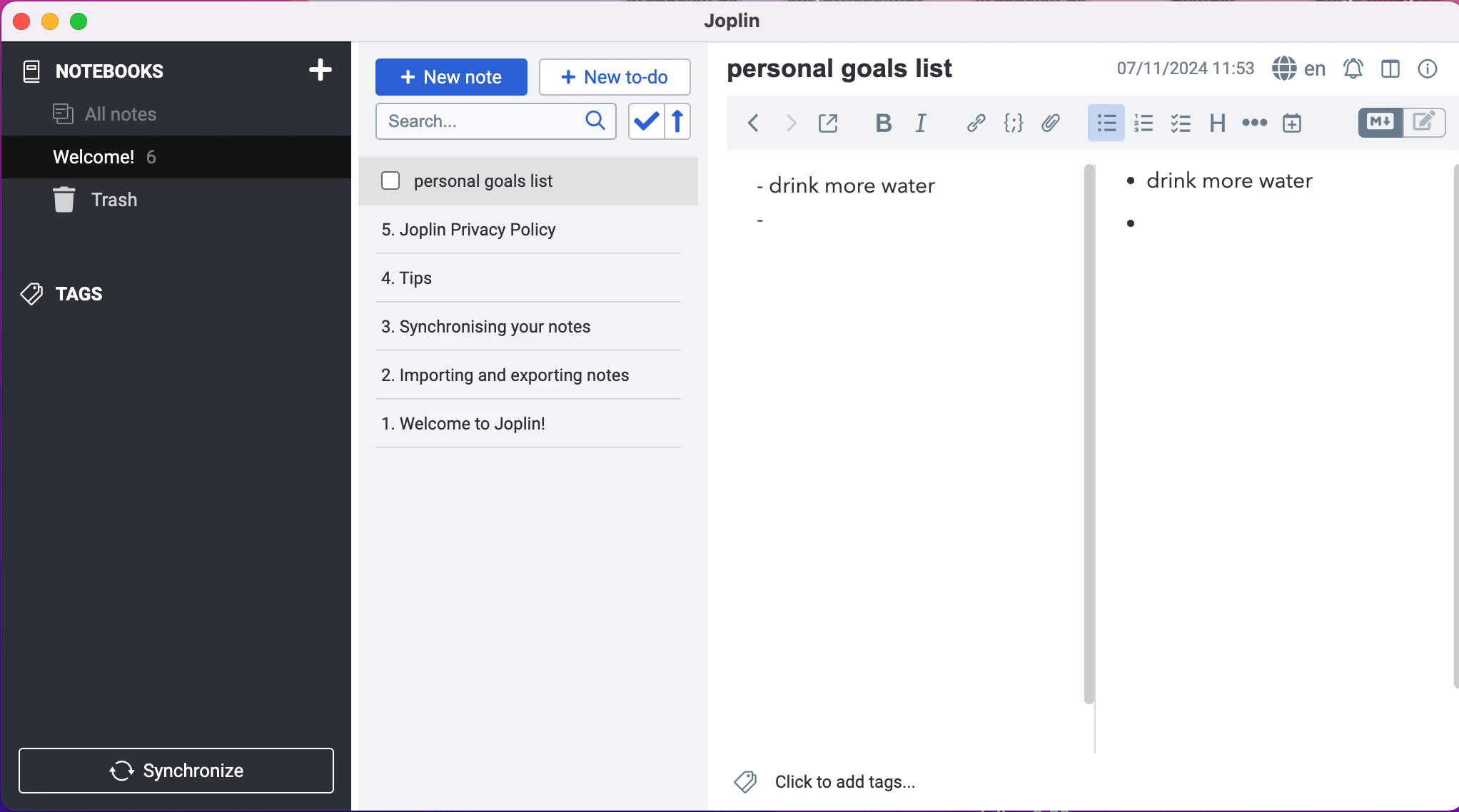 The width and height of the screenshot is (1459, 812). What do you see at coordinates (49, 22) in the screenshot?
I see `minimize` at bounding box center [49, 22].